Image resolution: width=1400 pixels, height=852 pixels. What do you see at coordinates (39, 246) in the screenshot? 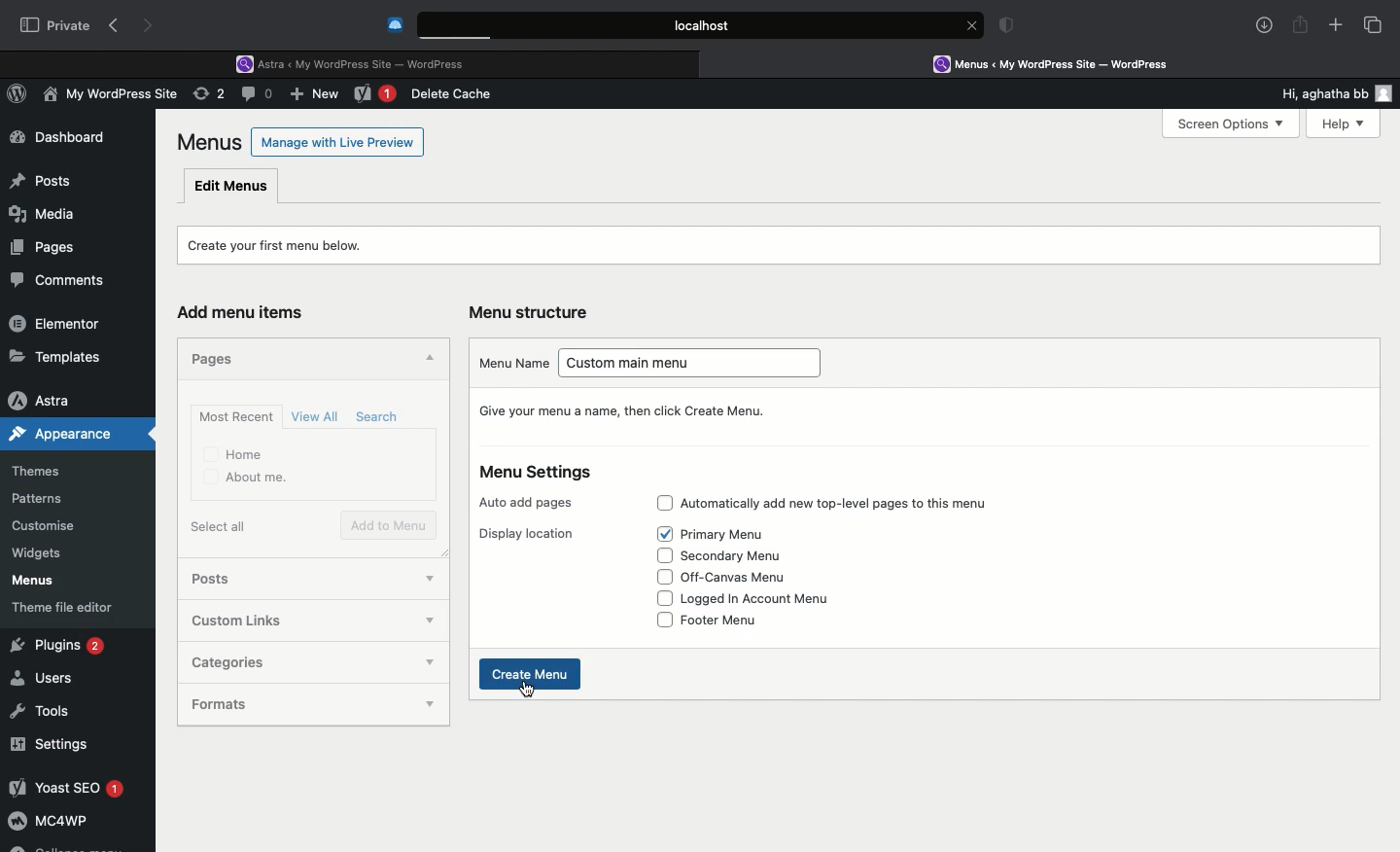
I see `Pages` at bounding box center [39, 246].